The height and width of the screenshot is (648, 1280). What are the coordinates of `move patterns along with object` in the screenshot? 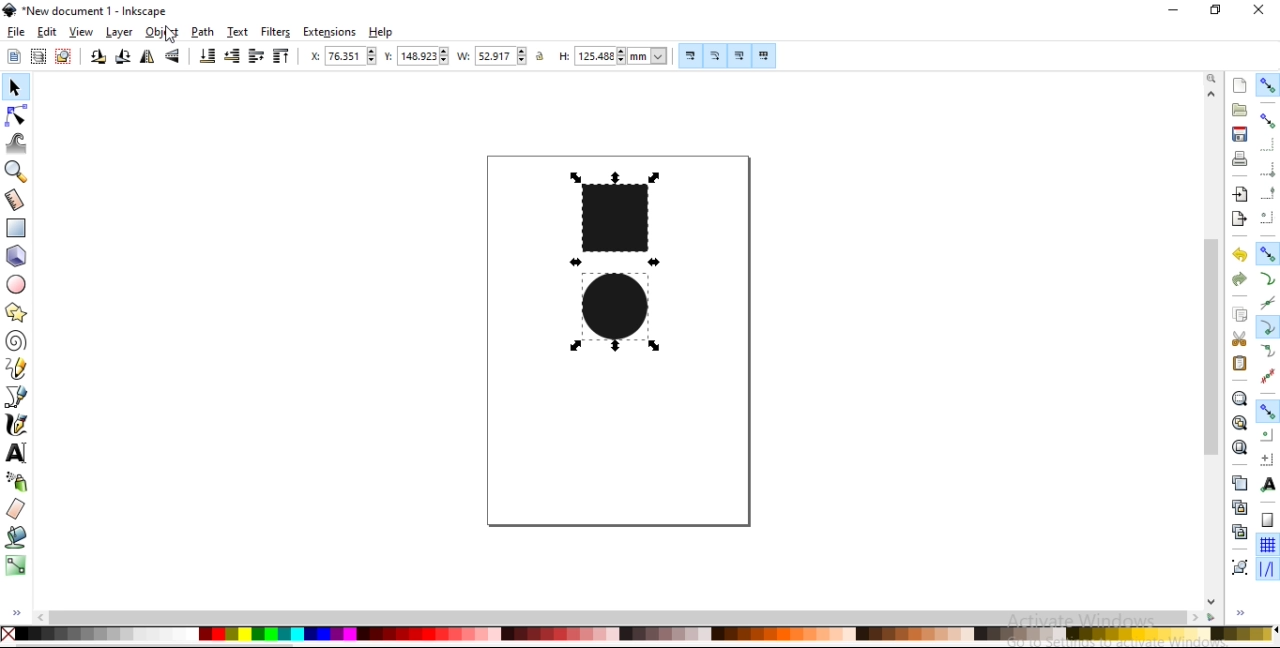 It's located at (765, 56).